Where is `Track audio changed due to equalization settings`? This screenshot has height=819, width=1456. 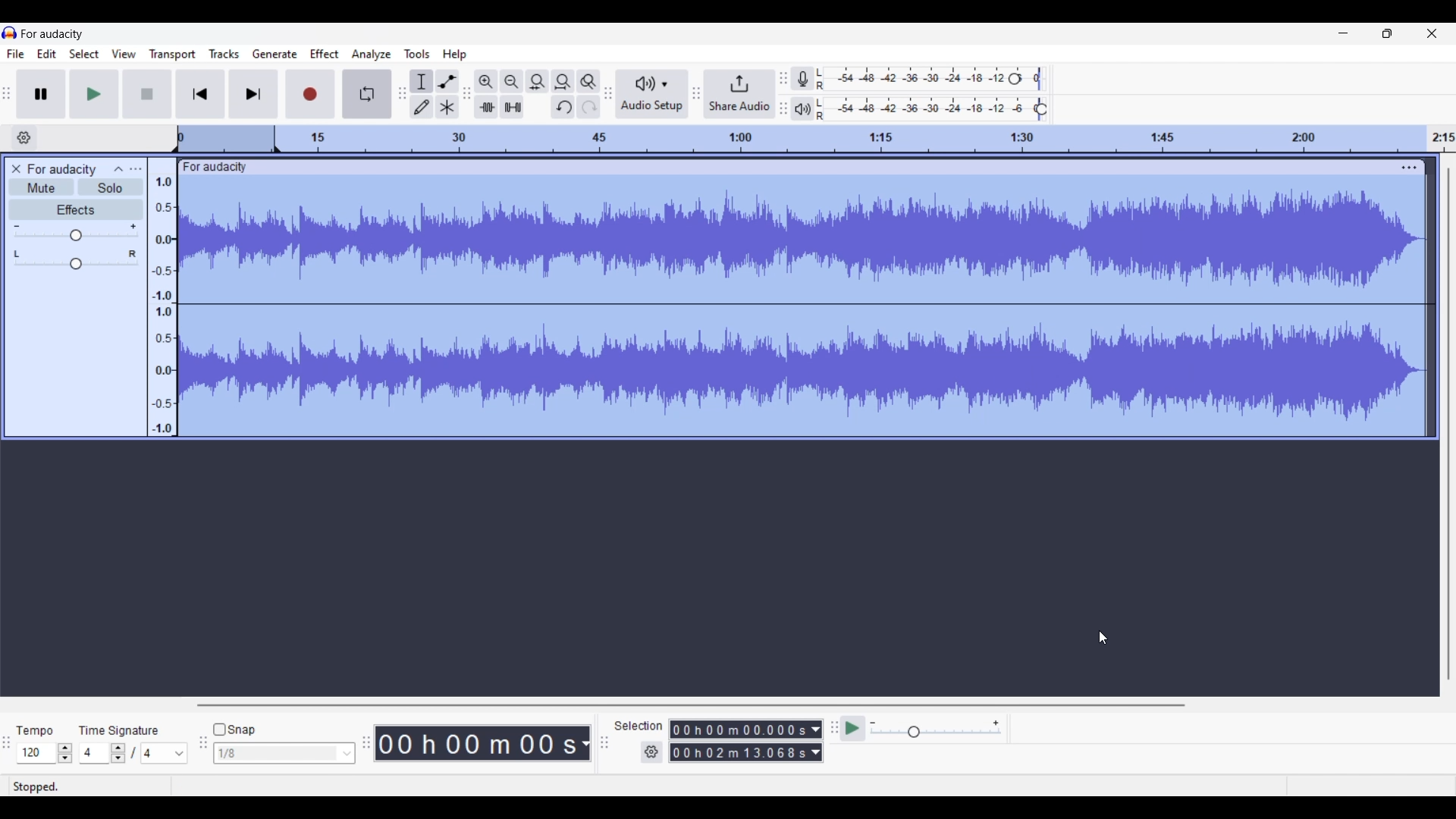 Track audio changed due to equalization settings is located at coordinates (802, 306).